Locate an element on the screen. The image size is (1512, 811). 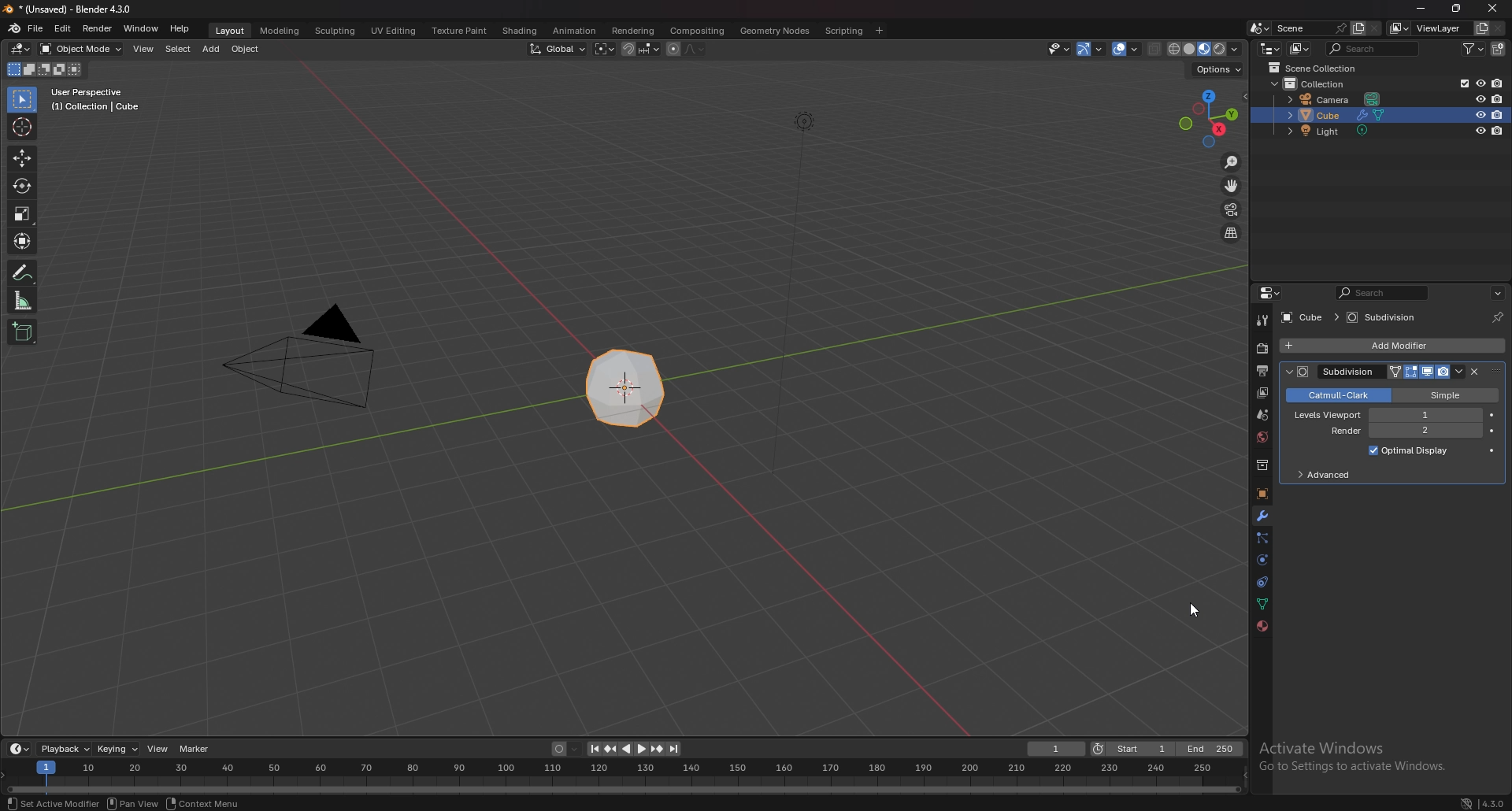
jump to endpoint is located at coordinates (676, 749).